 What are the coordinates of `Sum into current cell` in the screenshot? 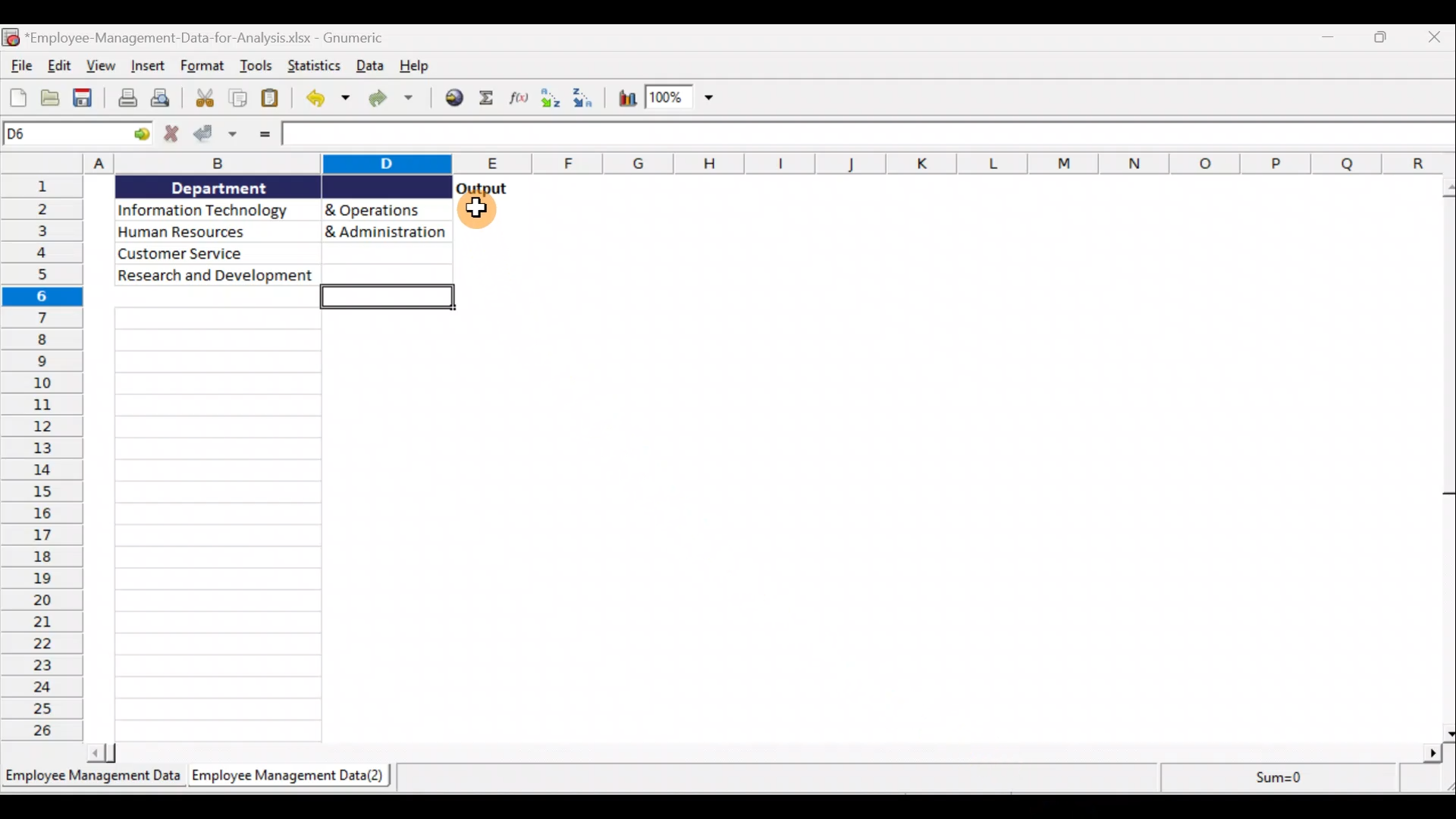 It's located at (486, 96).